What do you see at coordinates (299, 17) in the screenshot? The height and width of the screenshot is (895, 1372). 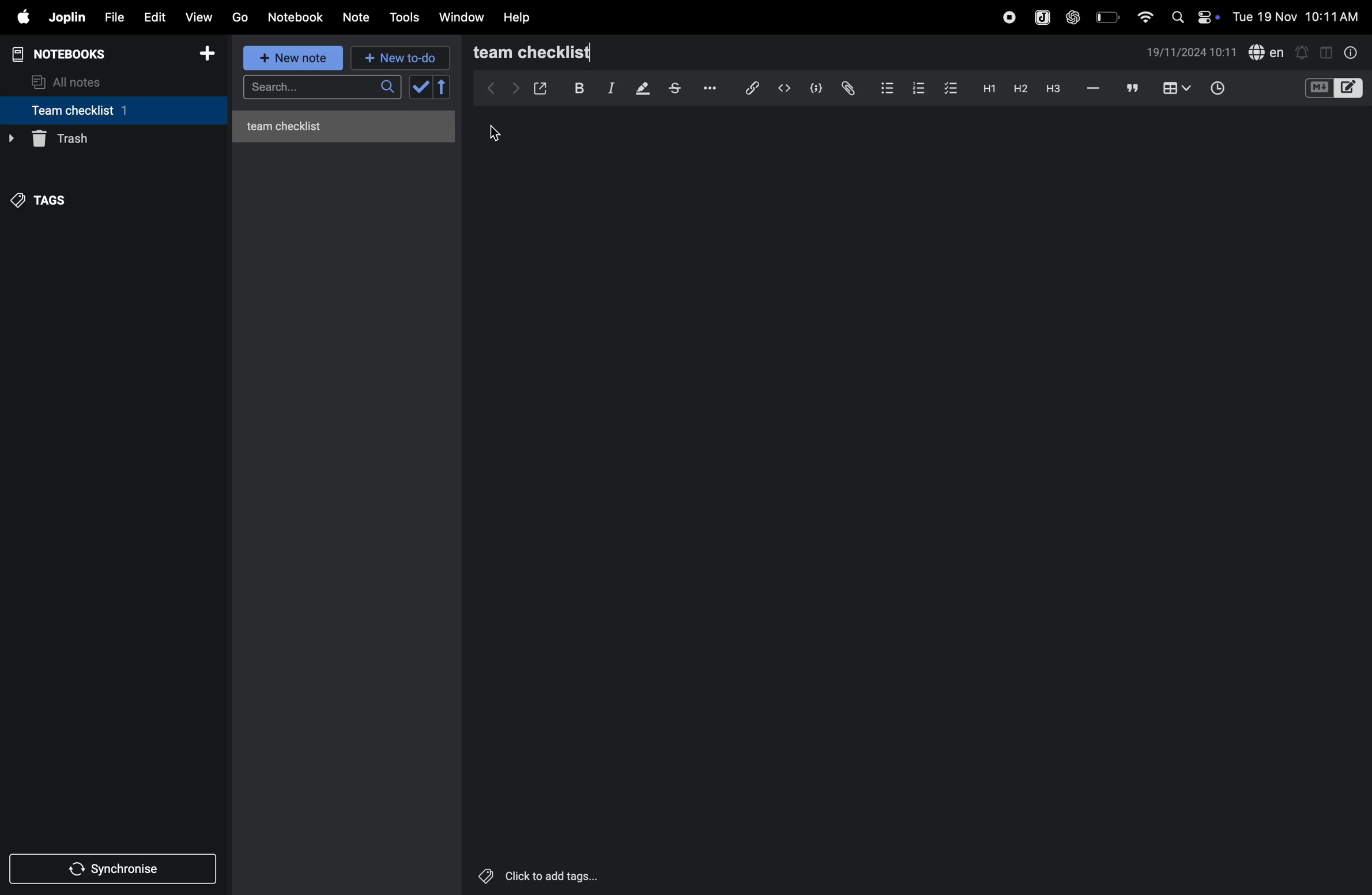 I see `Notebook` at bounding box center [299, 17].